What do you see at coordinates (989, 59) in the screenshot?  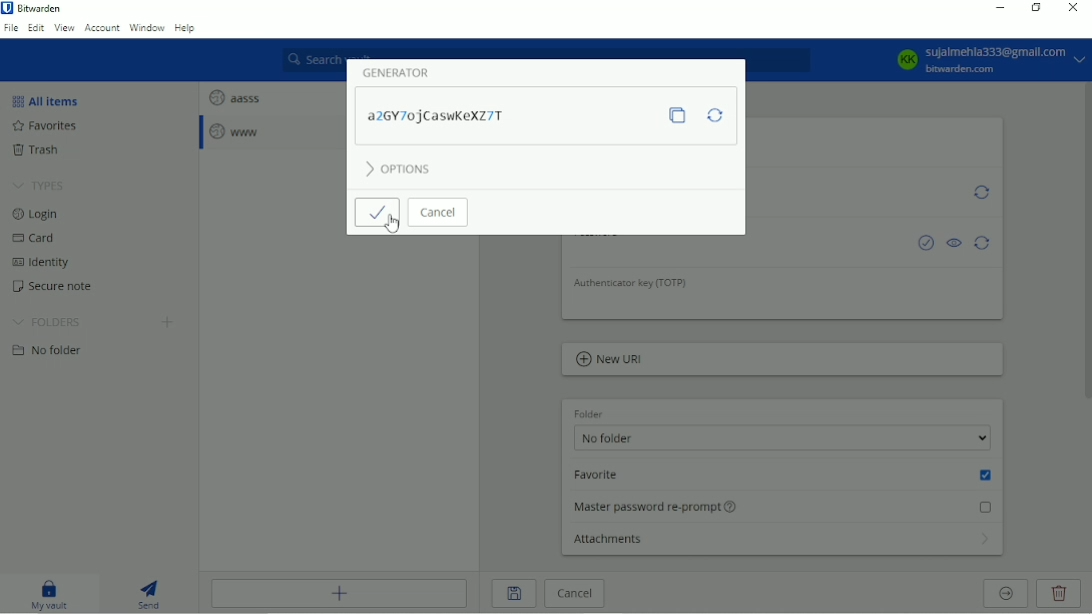 I see `Account` at bounding box center [989, 59].